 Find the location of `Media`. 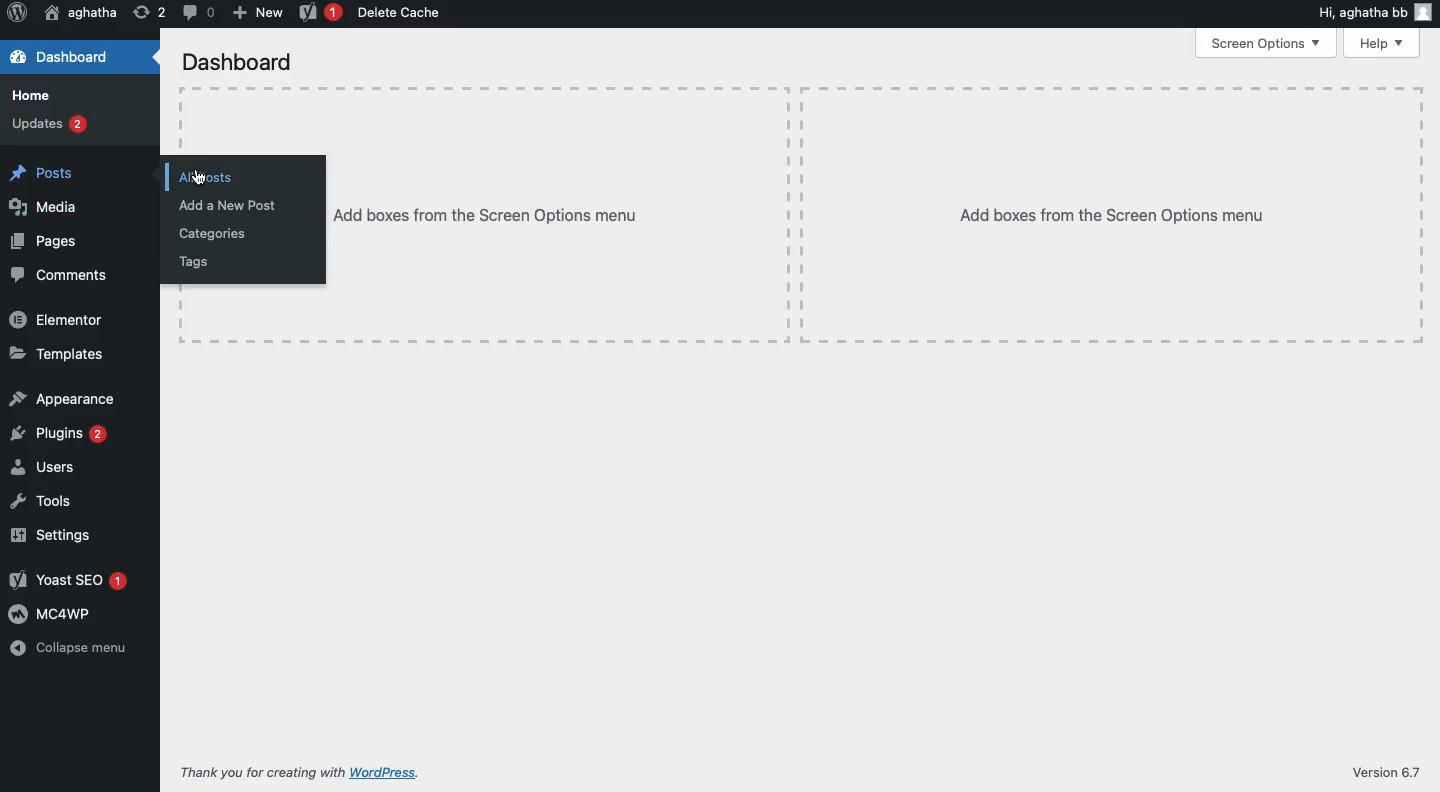

Media is located at coordinates (43, 206).